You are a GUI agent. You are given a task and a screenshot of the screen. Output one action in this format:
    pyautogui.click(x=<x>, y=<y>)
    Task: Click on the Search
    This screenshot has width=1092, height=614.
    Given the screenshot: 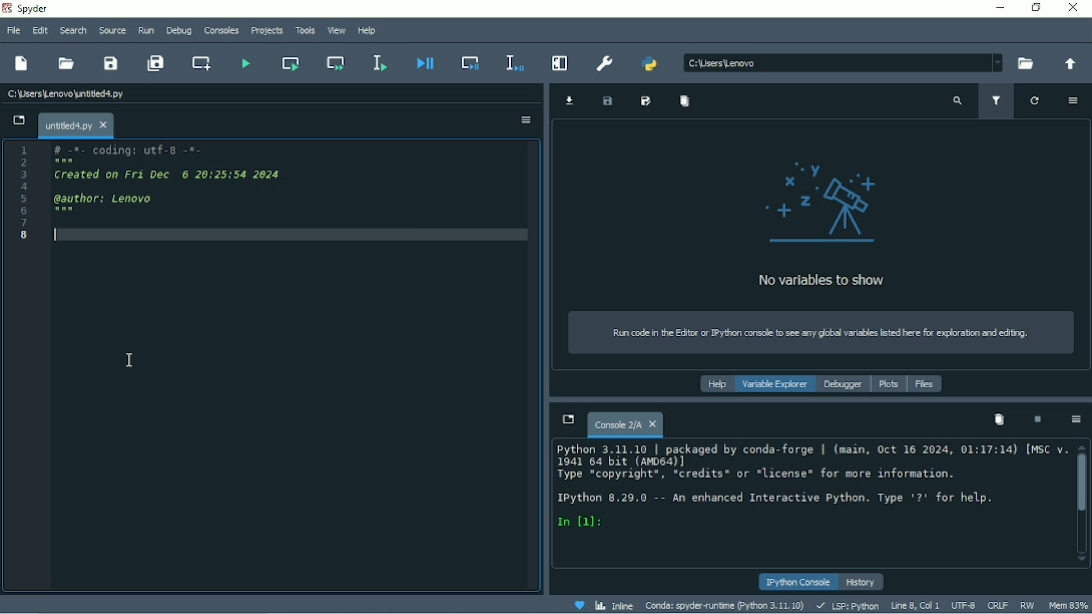 What is the action you would take?
    pyautogui.click(x=73, y=30)
    